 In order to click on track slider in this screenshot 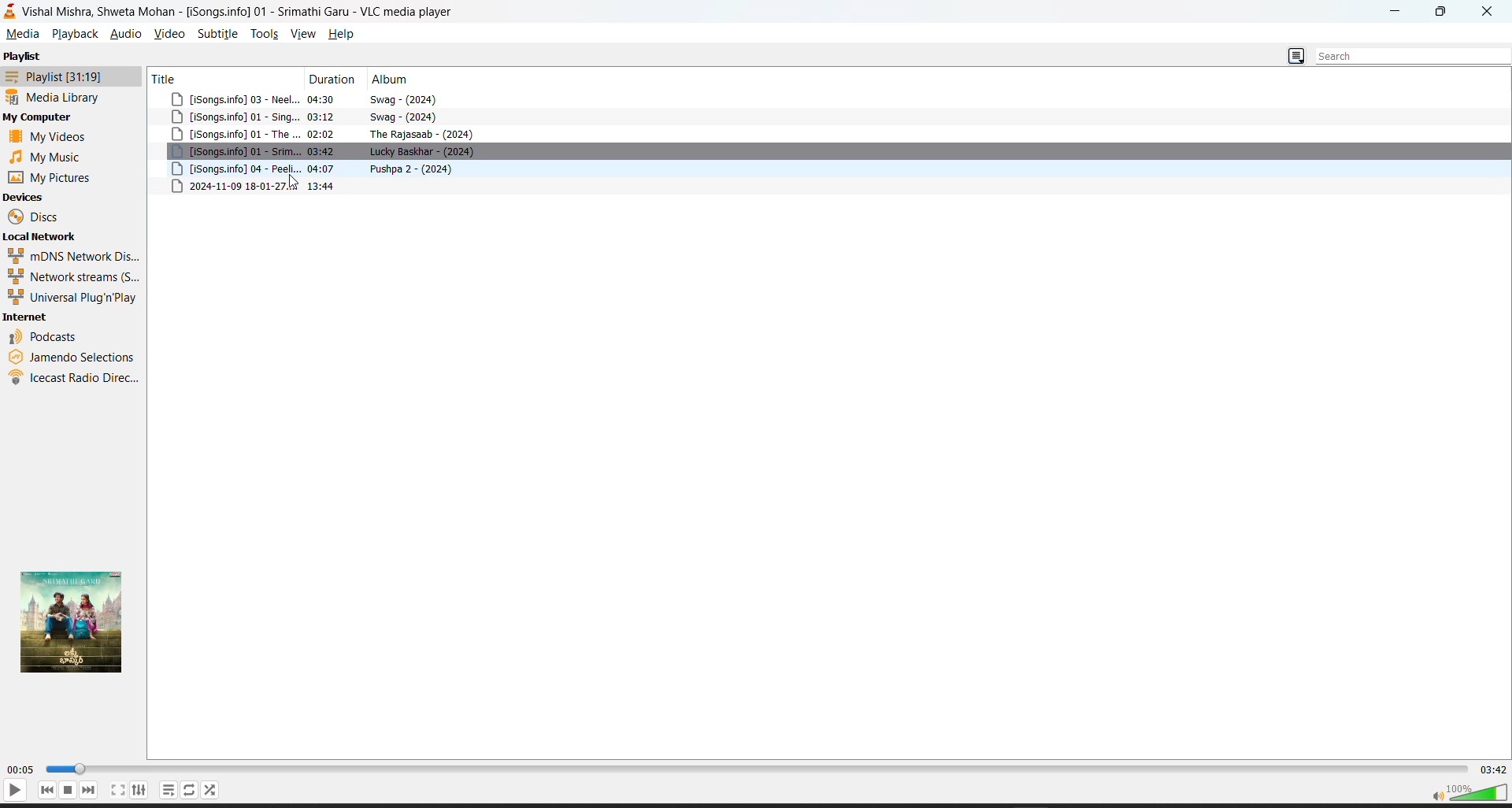, I will do `click(761, 770)`.